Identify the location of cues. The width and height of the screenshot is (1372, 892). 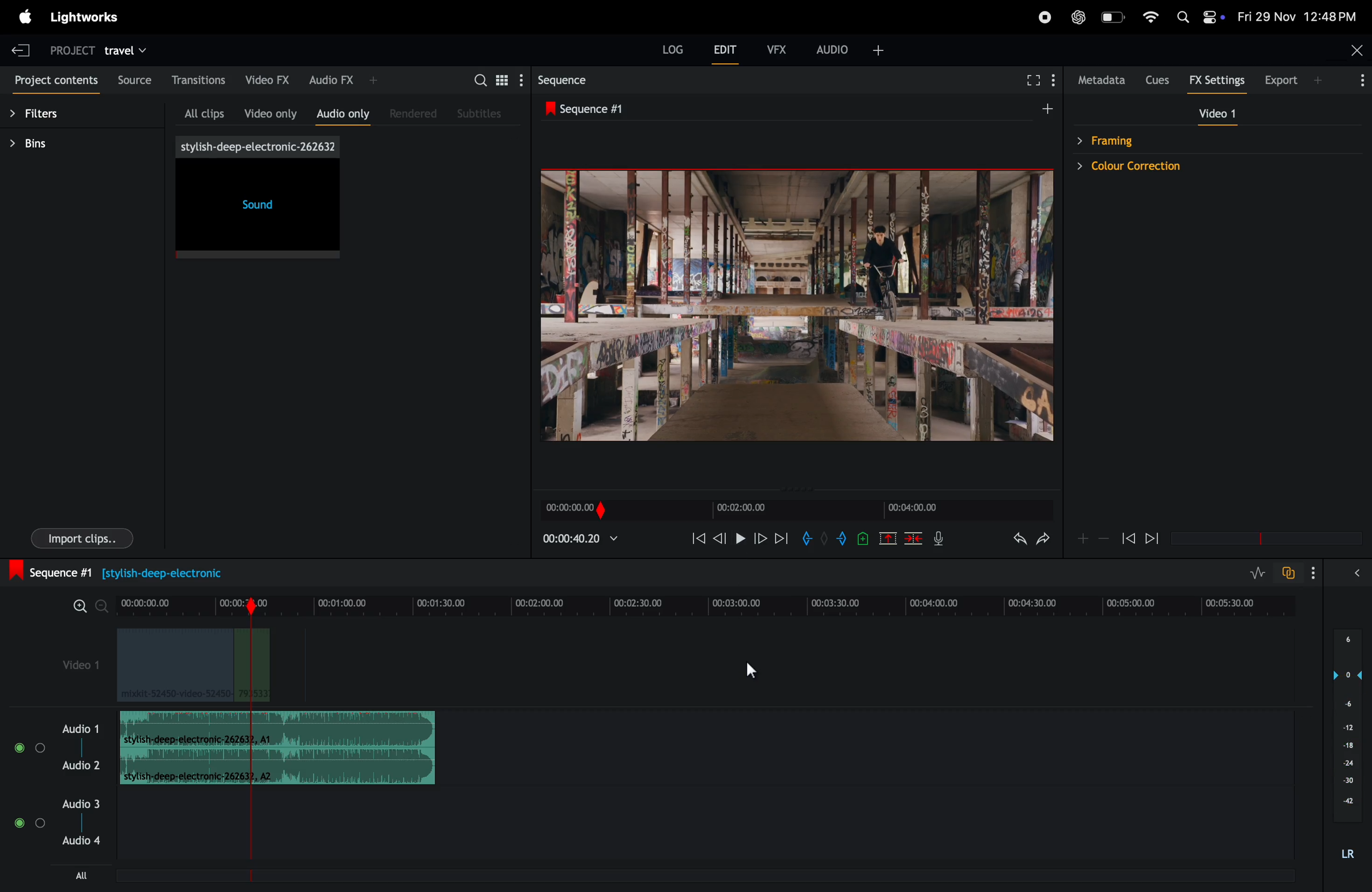
(1160, 80).